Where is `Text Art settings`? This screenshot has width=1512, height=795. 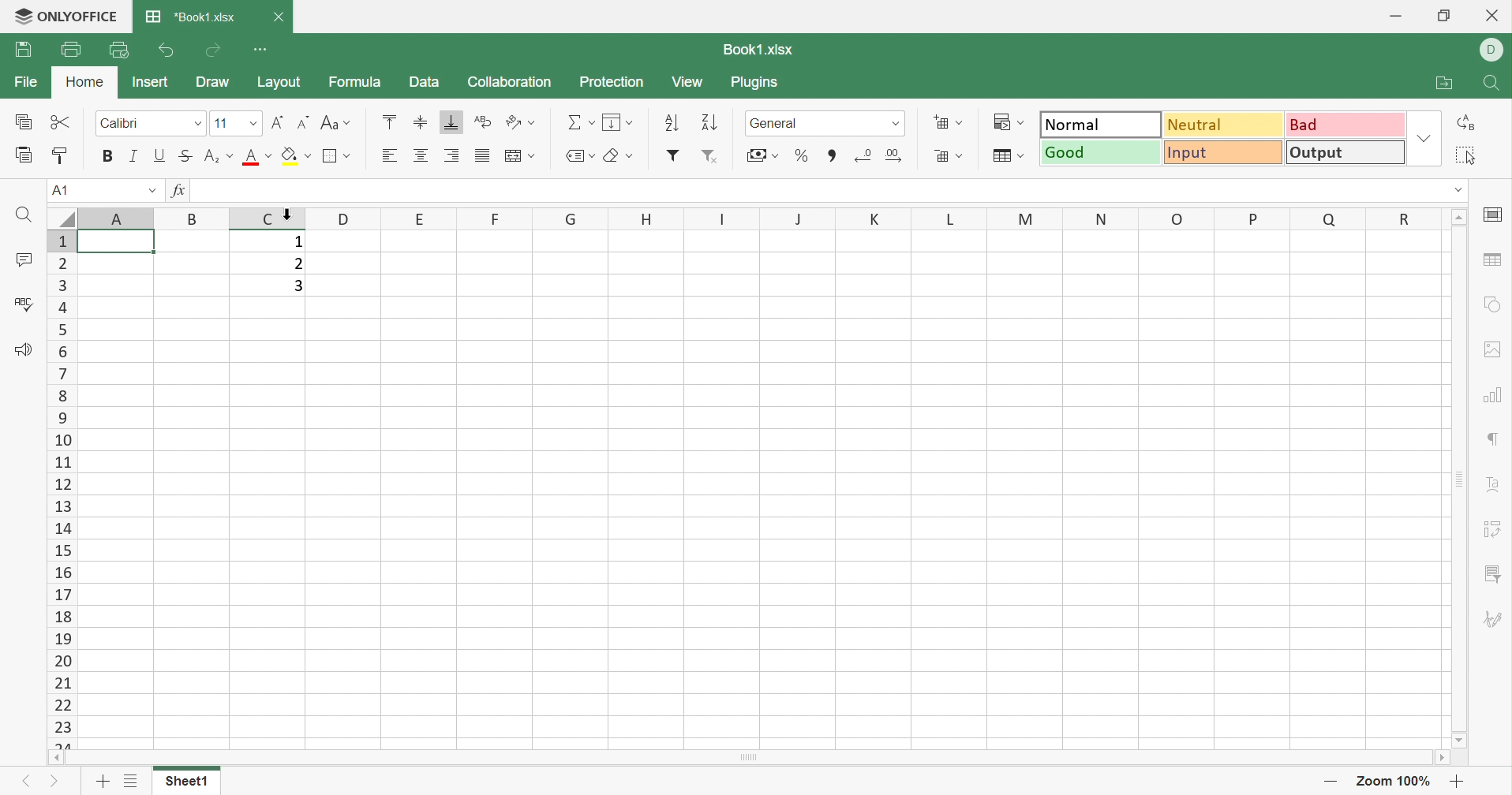 Text Art settings is located at coordinates (1494, 487).